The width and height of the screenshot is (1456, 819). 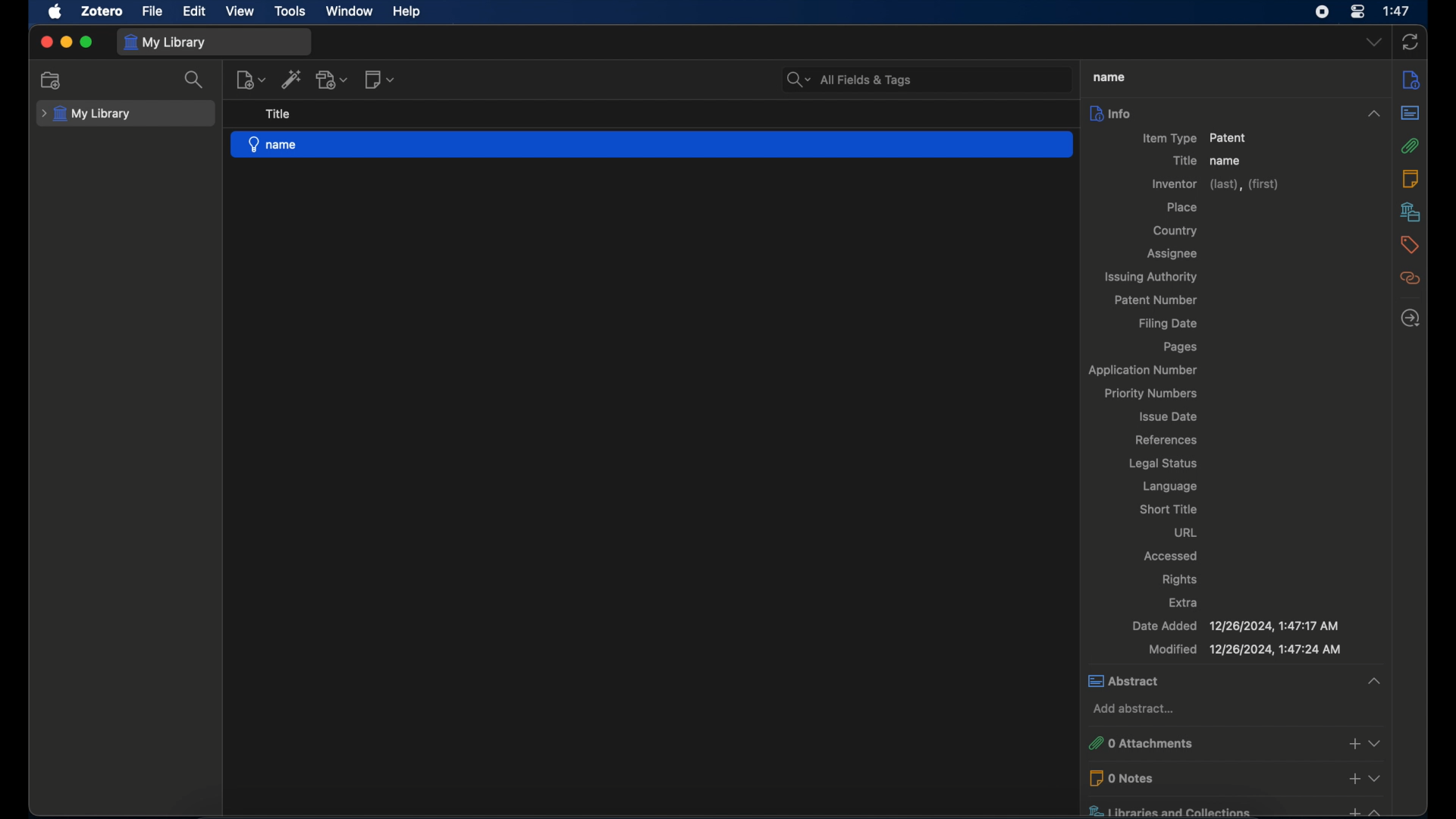 What do you see at coordinates (168, 42) in the screenshot?
I see `my library` at bounding box center [168, 42].